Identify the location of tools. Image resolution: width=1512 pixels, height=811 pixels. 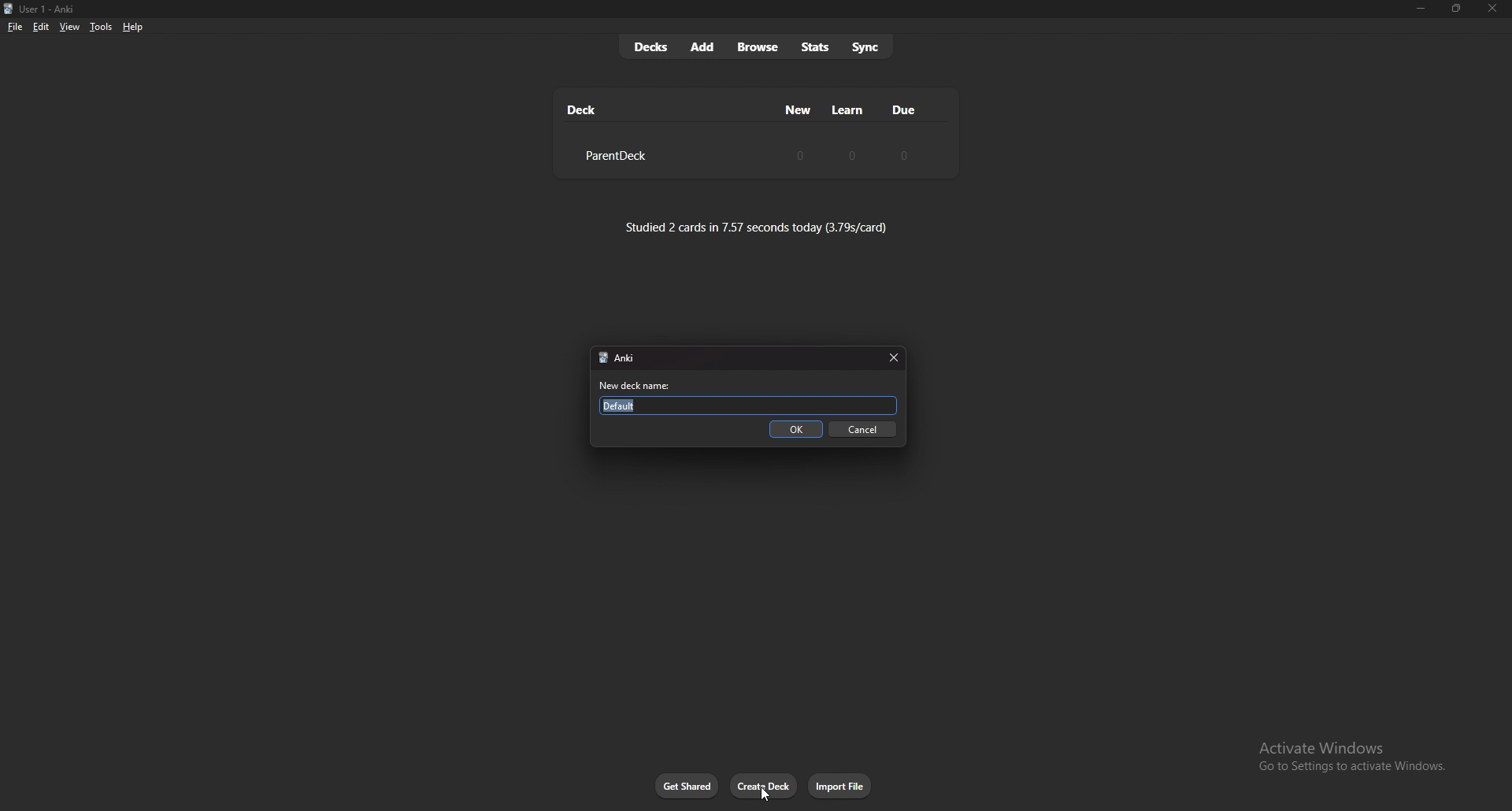
(101, 27).